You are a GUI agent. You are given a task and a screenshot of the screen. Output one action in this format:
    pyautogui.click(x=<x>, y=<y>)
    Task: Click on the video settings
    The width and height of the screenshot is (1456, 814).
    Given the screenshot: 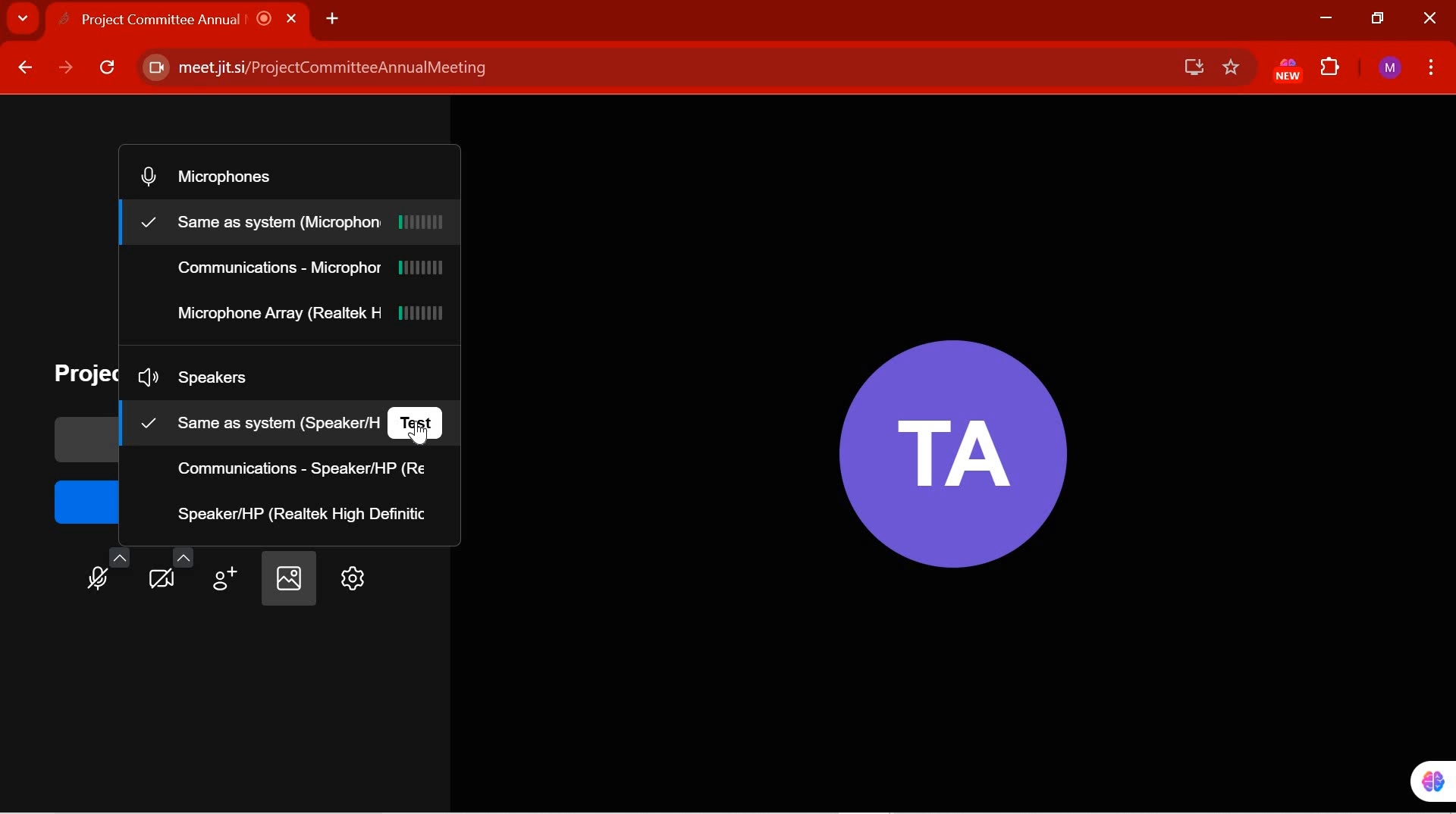 What is the action you would take?
    pyautogui.click(x=171, y=568)
    